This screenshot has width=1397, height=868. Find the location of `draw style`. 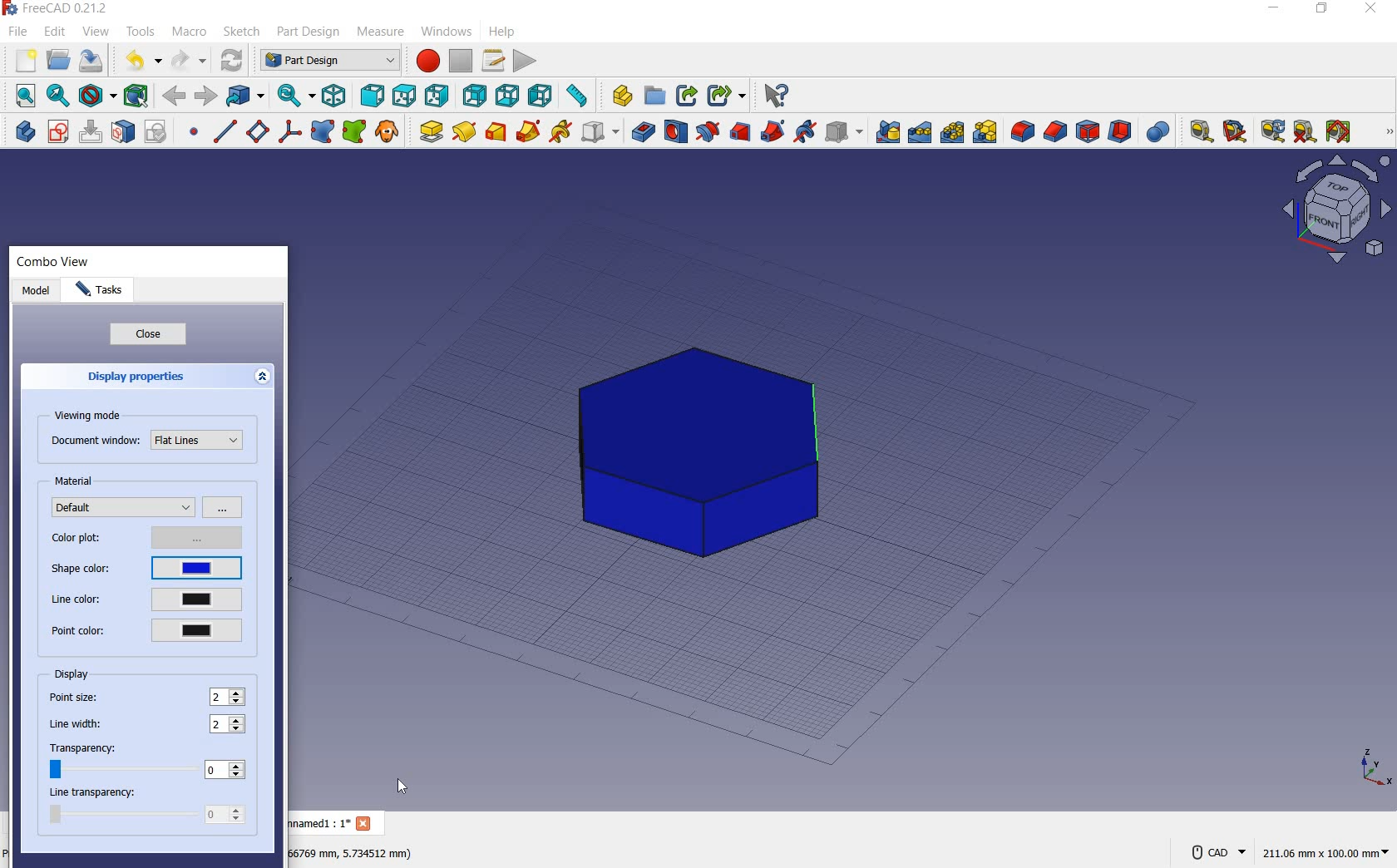

draw style is located at coordinates (96, 96).